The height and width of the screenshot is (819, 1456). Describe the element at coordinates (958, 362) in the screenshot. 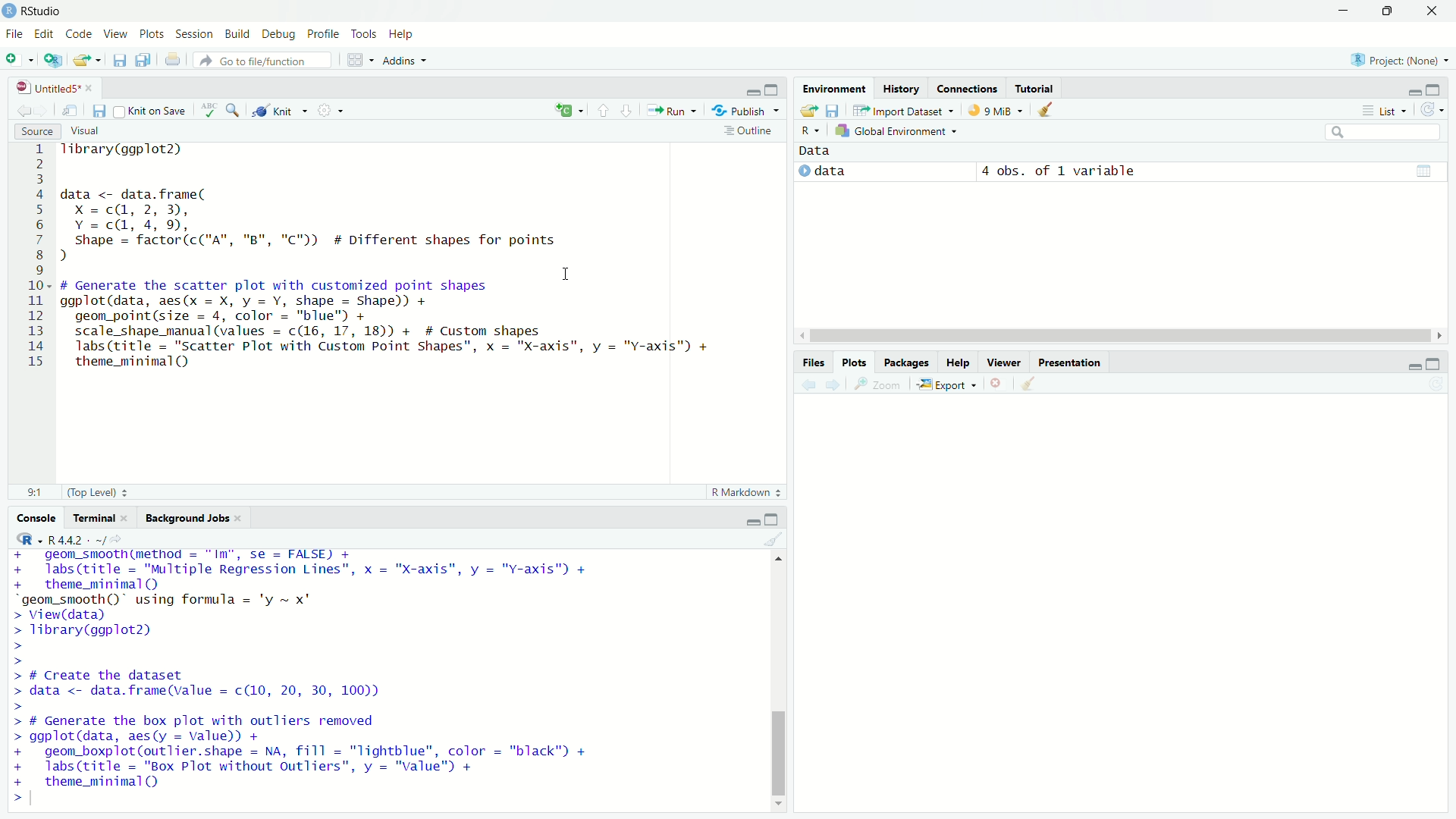

I see `Help` at that location.